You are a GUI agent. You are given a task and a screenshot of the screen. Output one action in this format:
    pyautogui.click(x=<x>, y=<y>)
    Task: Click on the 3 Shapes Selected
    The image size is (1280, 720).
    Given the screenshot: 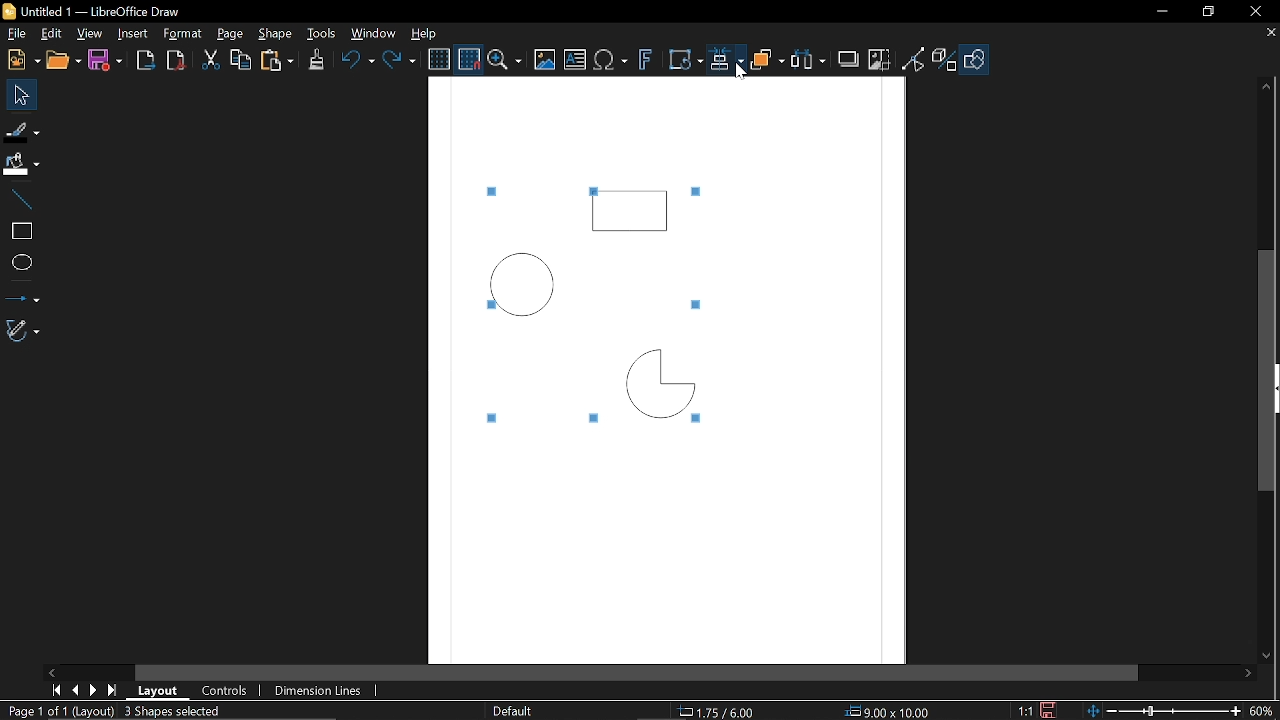 What is the action you would take?
    pyautogui.click(x=199, y=711)
    